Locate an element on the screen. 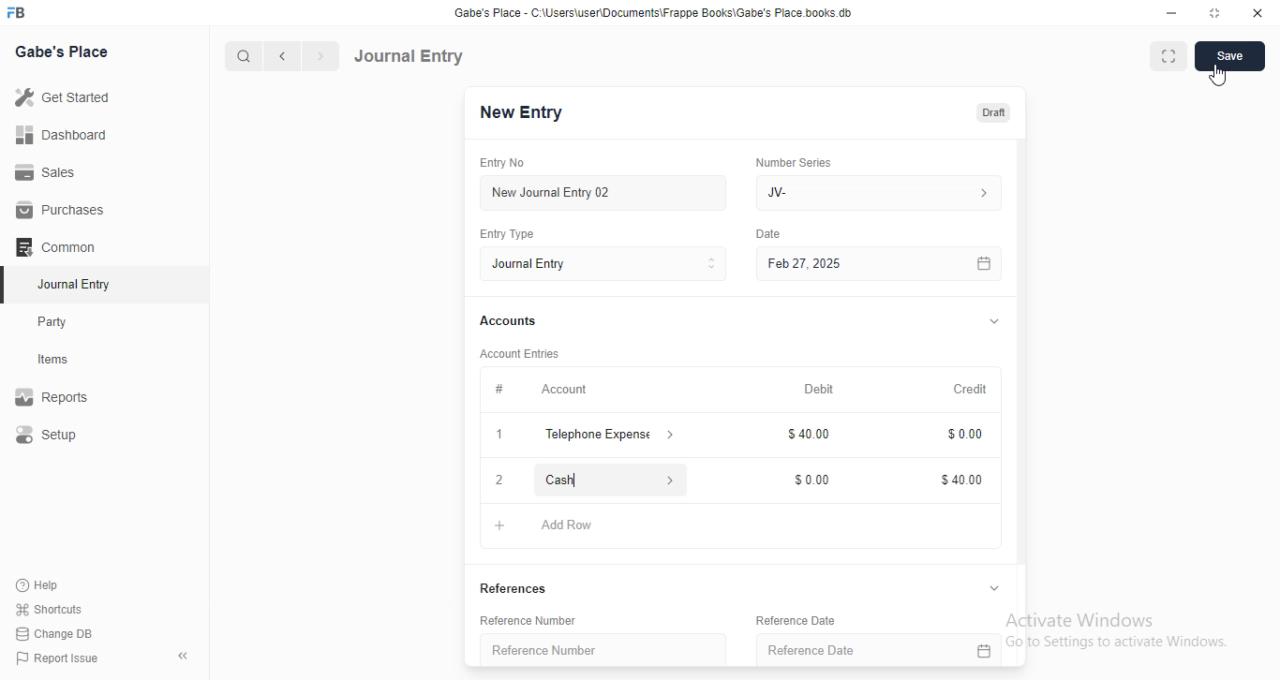  ‘Reference Date is located at coordinates (792, 620).